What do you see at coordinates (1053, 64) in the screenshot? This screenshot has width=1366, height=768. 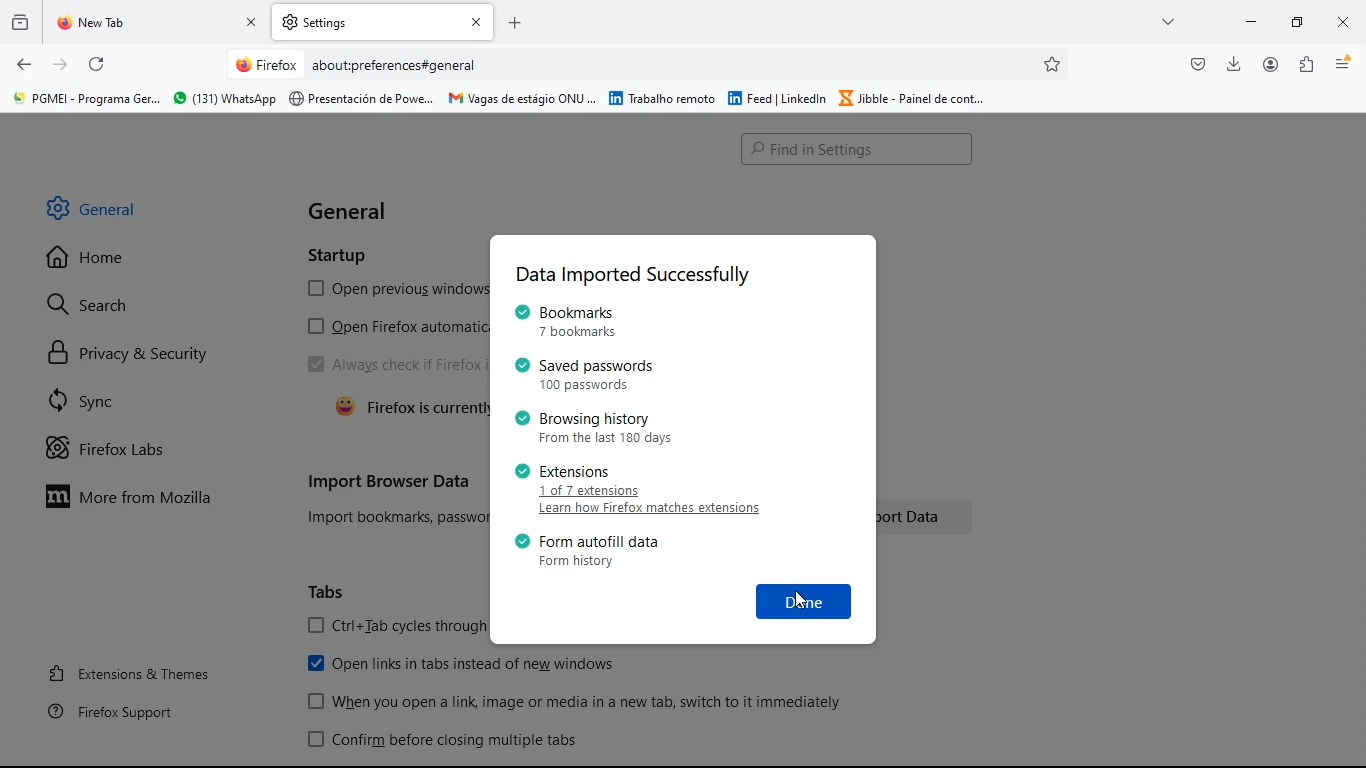 I see `favorites` at bounding box center [1053, 64].